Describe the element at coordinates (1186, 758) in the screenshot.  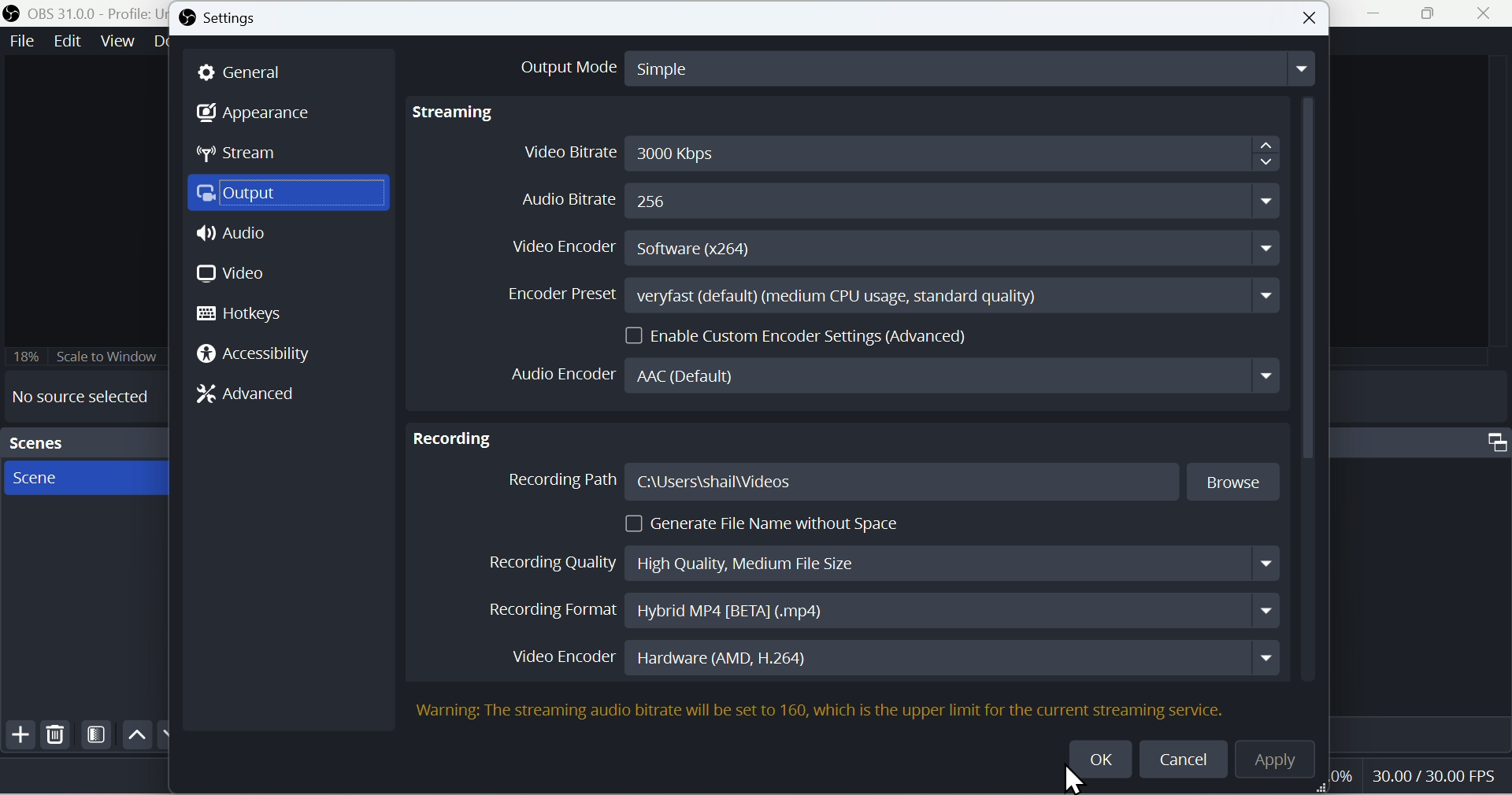
I see `cancel` at that location.